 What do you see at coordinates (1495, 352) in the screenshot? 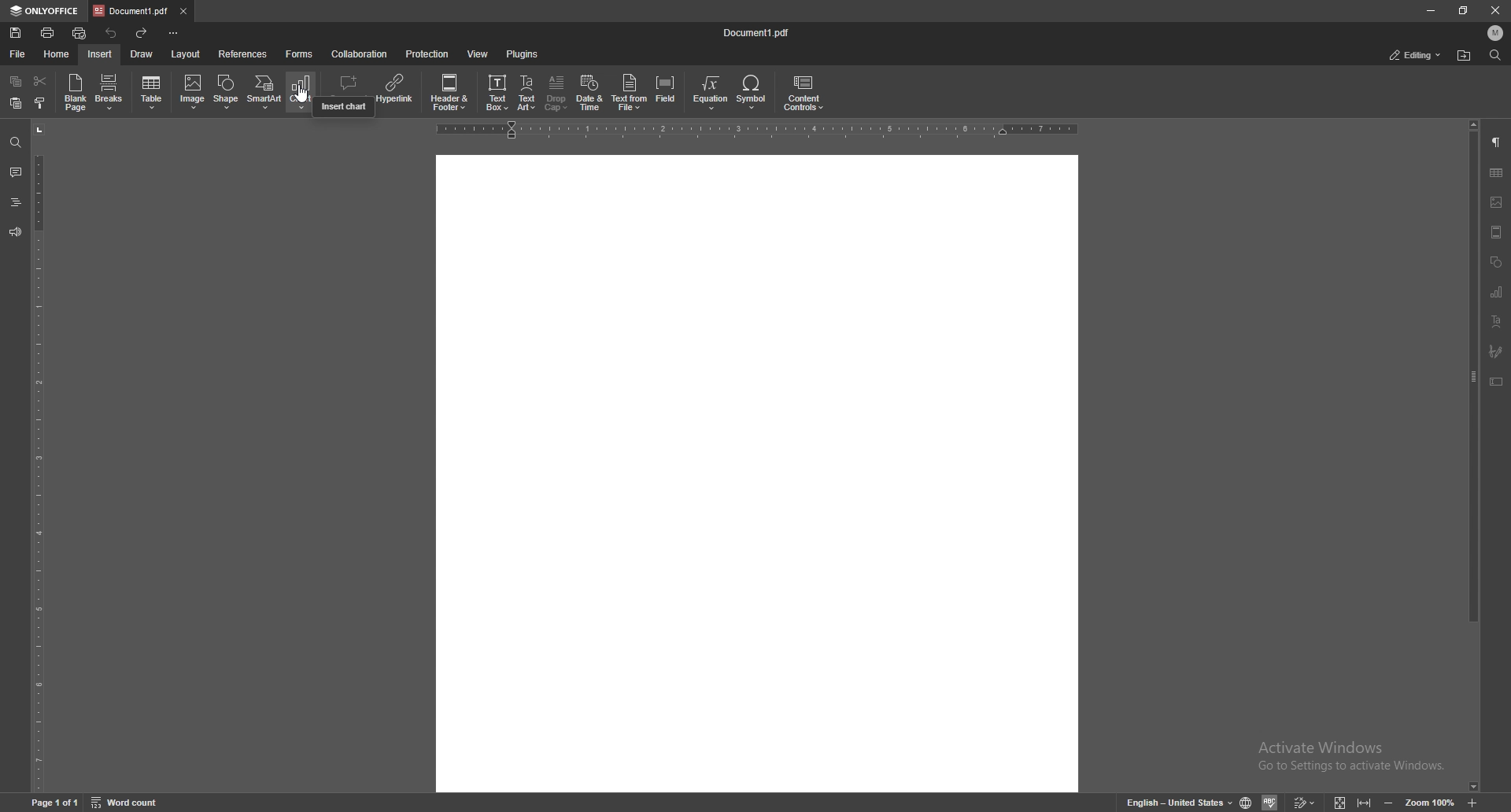
I see `signature field` at bounding box center [1495, 352].